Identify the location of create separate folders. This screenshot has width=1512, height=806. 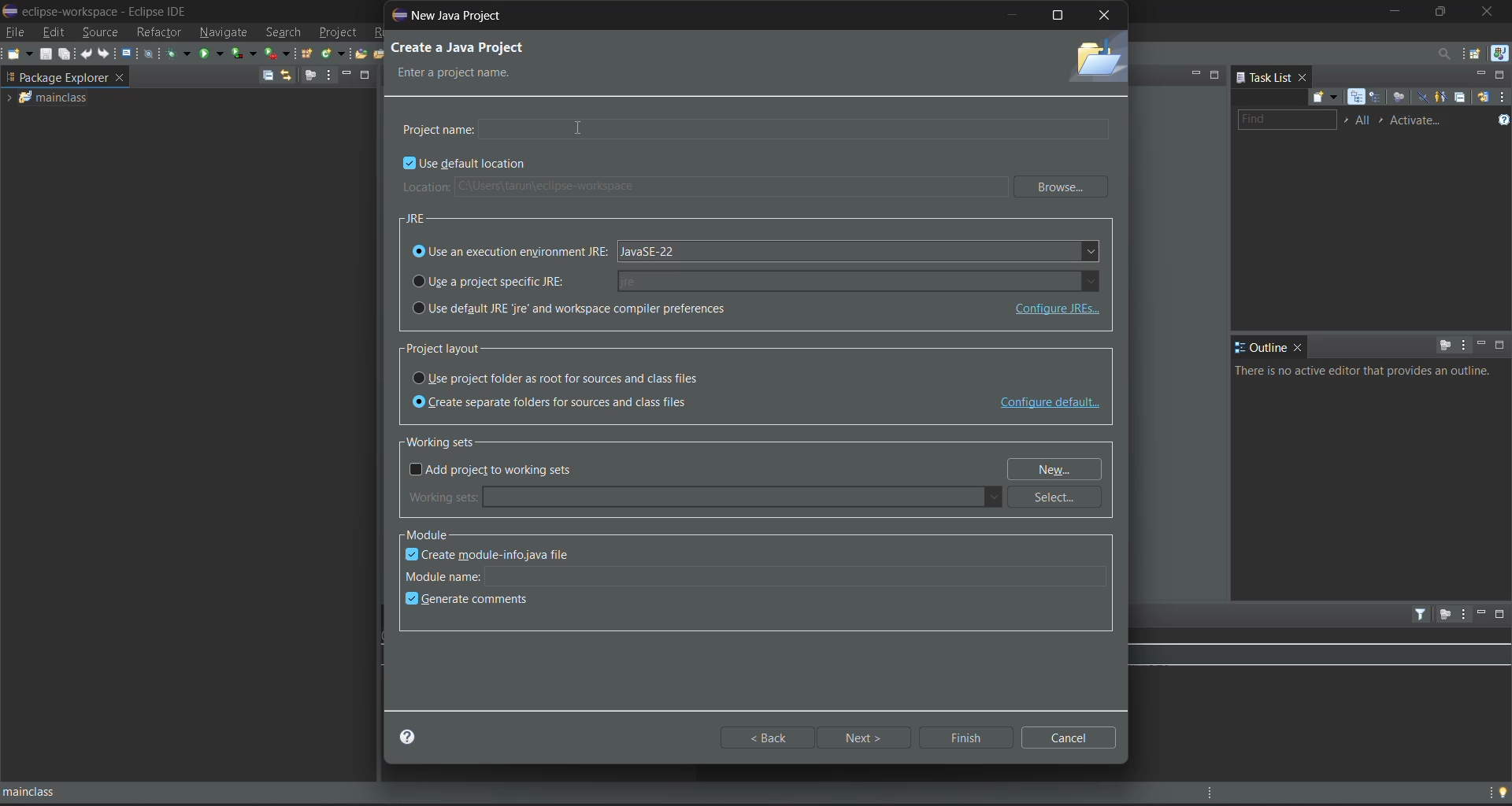
(561, 403).